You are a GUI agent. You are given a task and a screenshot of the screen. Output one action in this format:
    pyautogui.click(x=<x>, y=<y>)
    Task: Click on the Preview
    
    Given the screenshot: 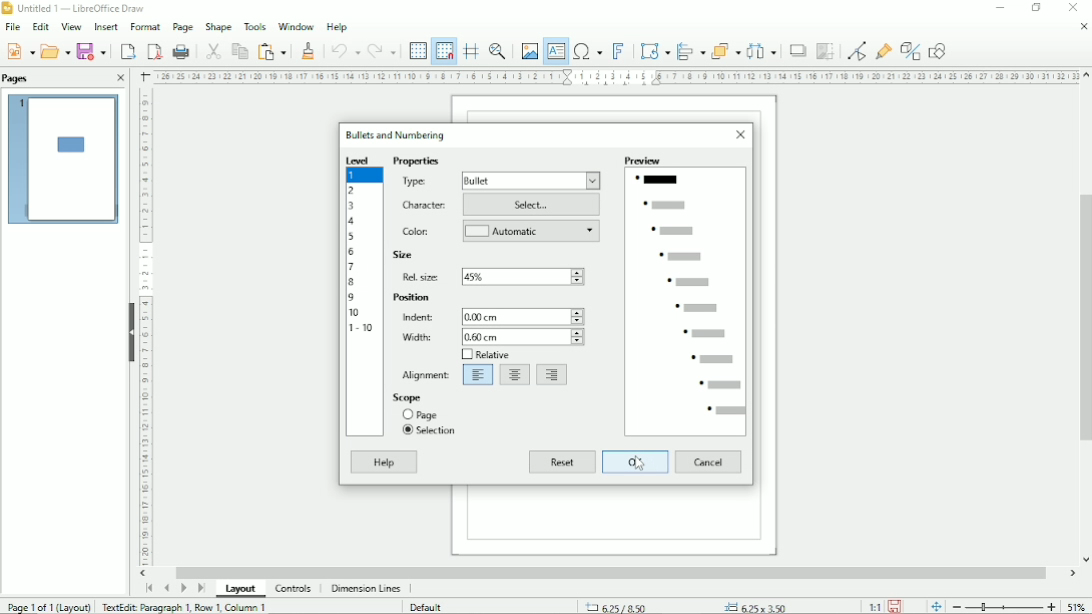 What is the action you would take?
    pyautogui.click(x=63, y=160)
    